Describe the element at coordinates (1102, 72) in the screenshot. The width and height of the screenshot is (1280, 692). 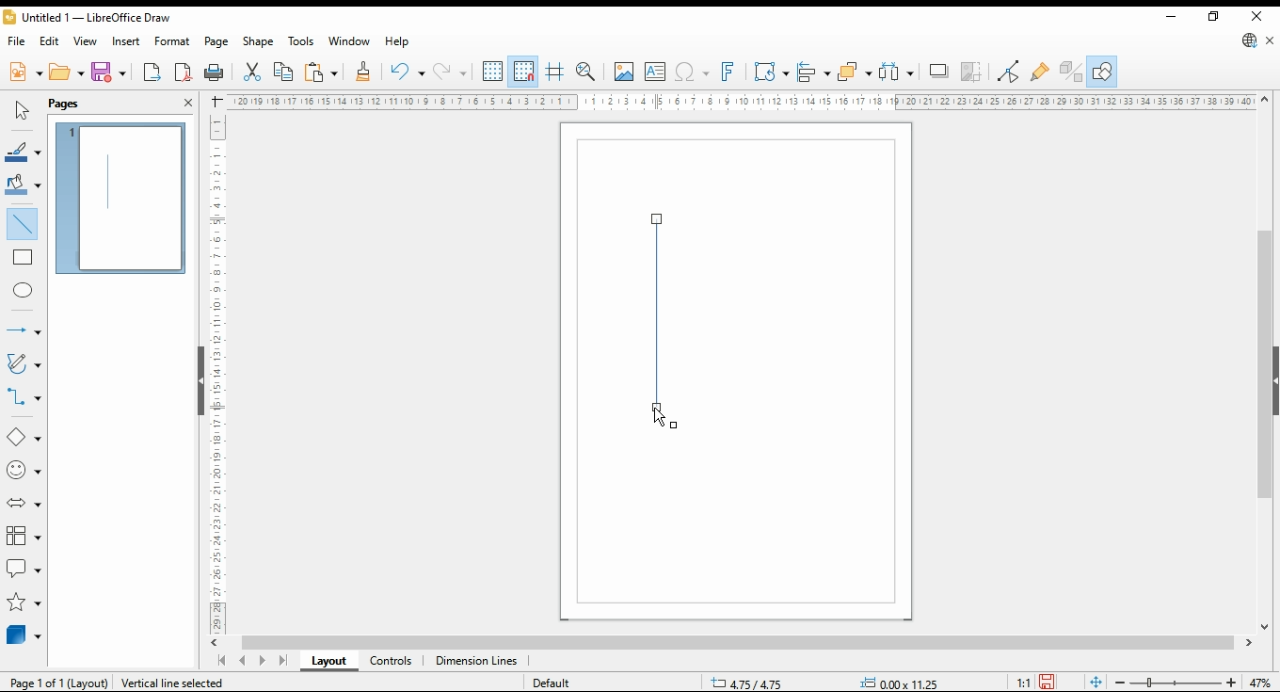
I see `show draw functions` at that location.